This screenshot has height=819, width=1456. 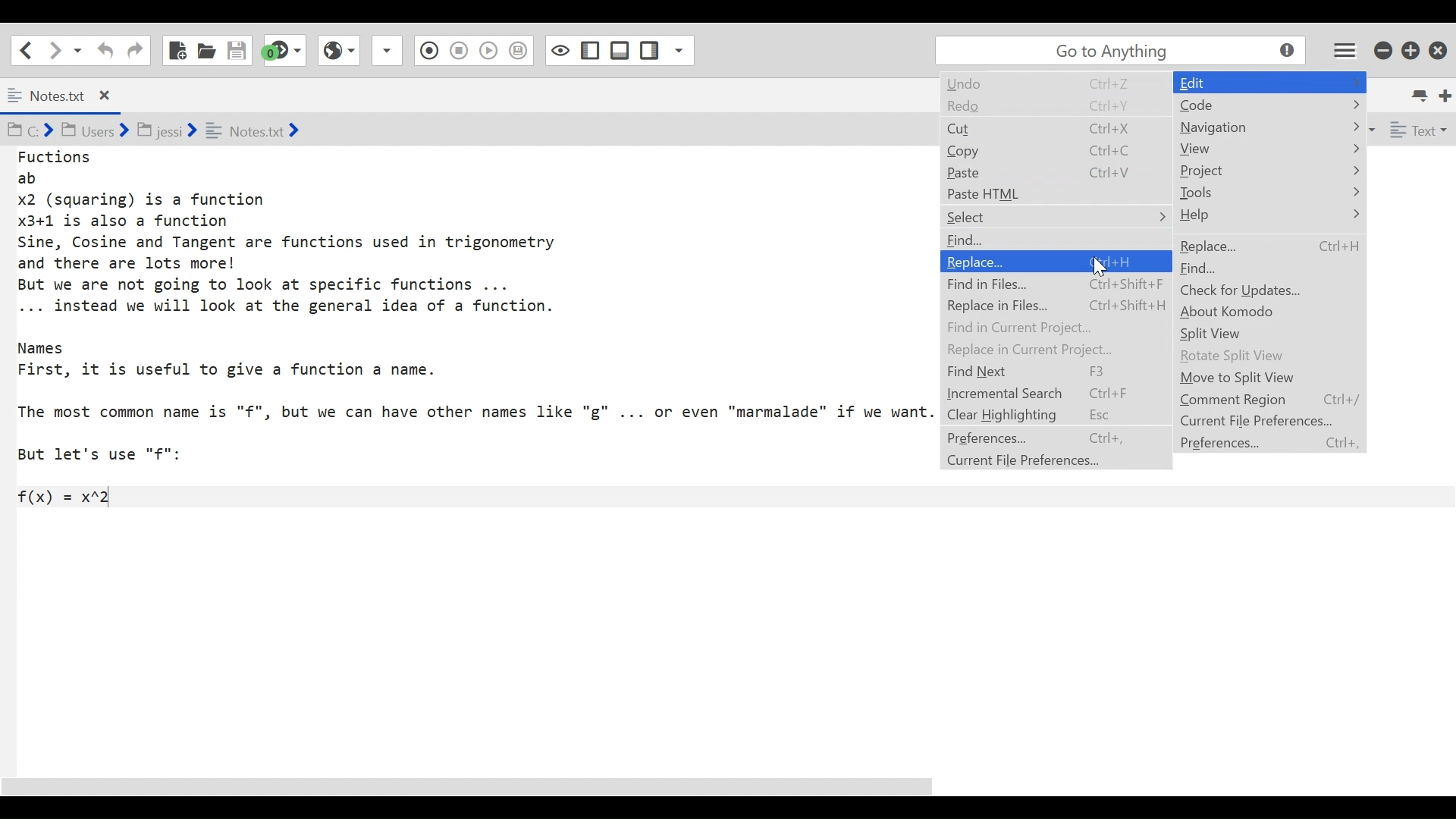 What do you see at coordinates (1203, 81) in the screenshot?
I see `` at bounding box center [1203, 81].